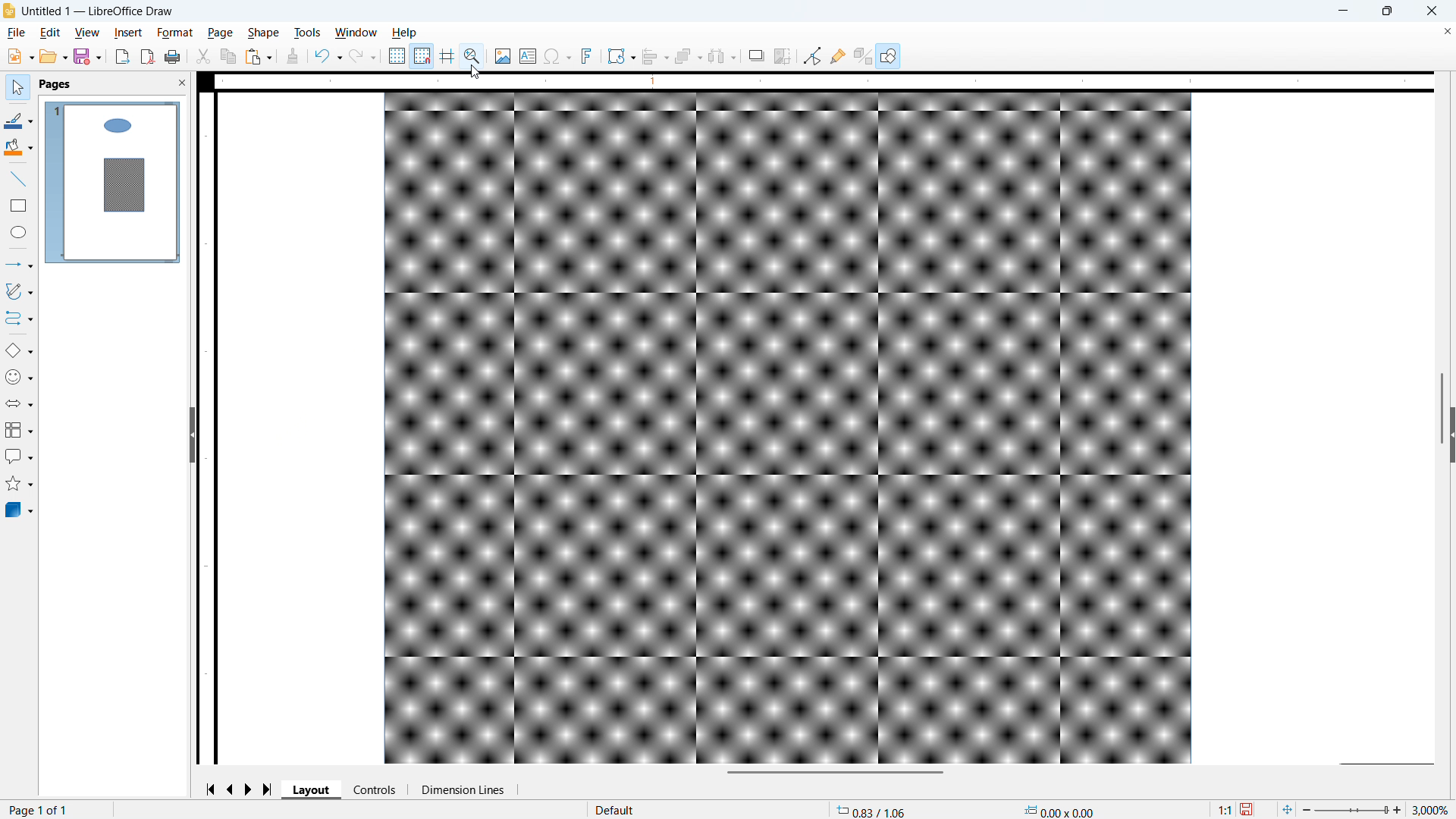 Image resolution: width=1456 pixels, height=819 pixels. I want to click on shape , so click(264, 33).